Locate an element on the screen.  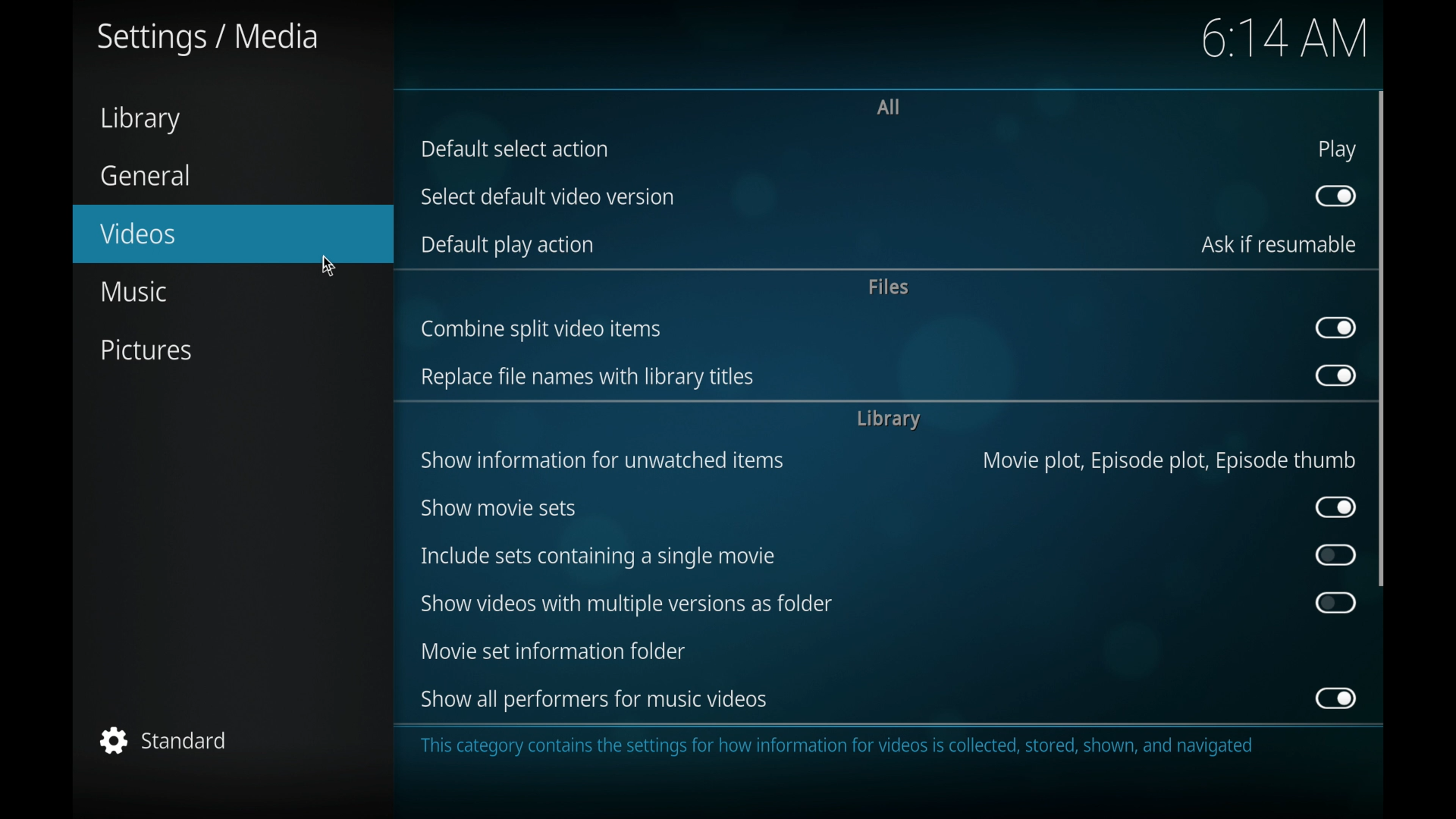
combine split video items is located at coordinates (541, 330).